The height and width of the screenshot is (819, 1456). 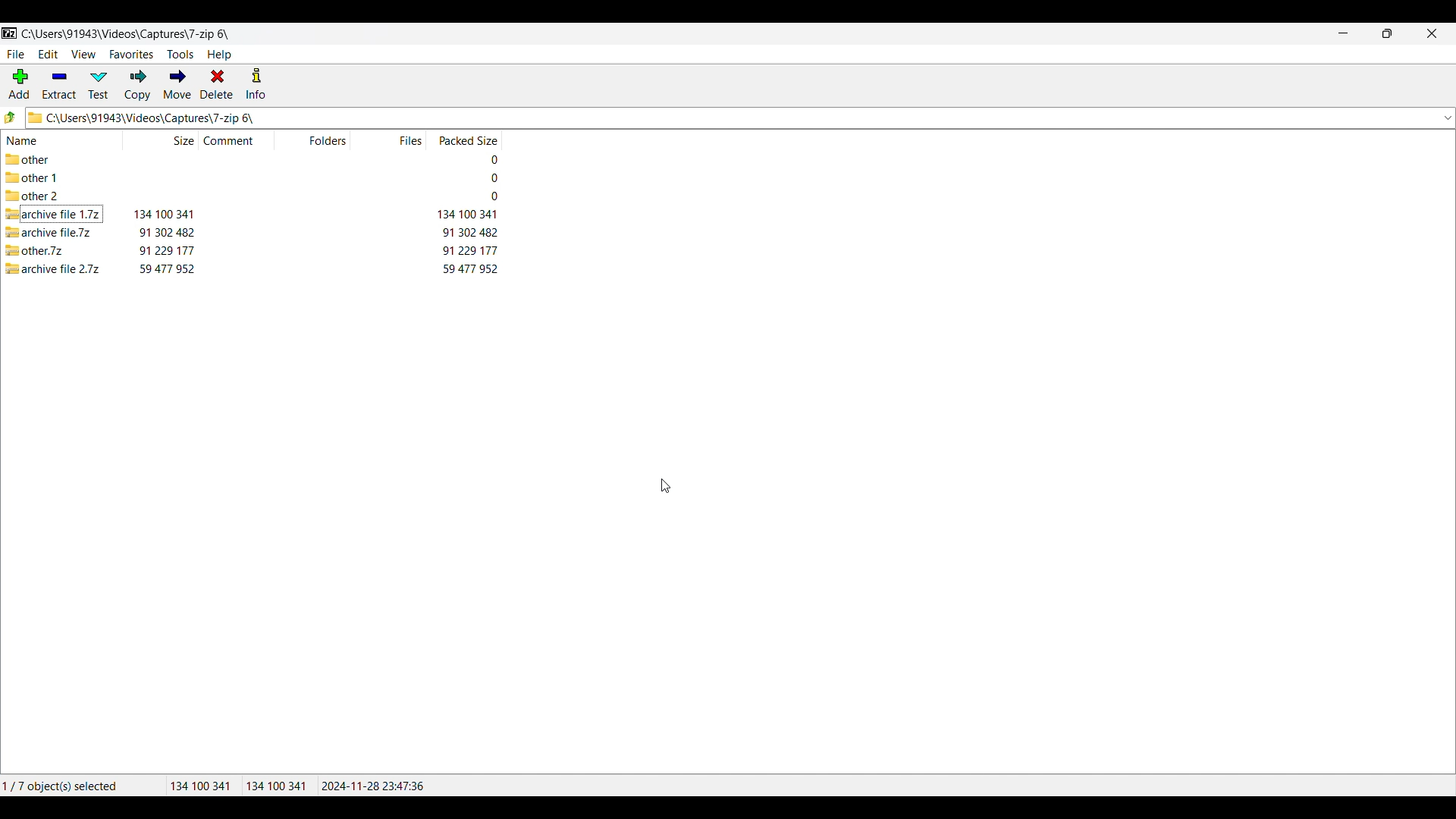 What do you see at coordinates (466, 140) in the screenshot?
I see `Packed size column` at bounding box center [466, 140].